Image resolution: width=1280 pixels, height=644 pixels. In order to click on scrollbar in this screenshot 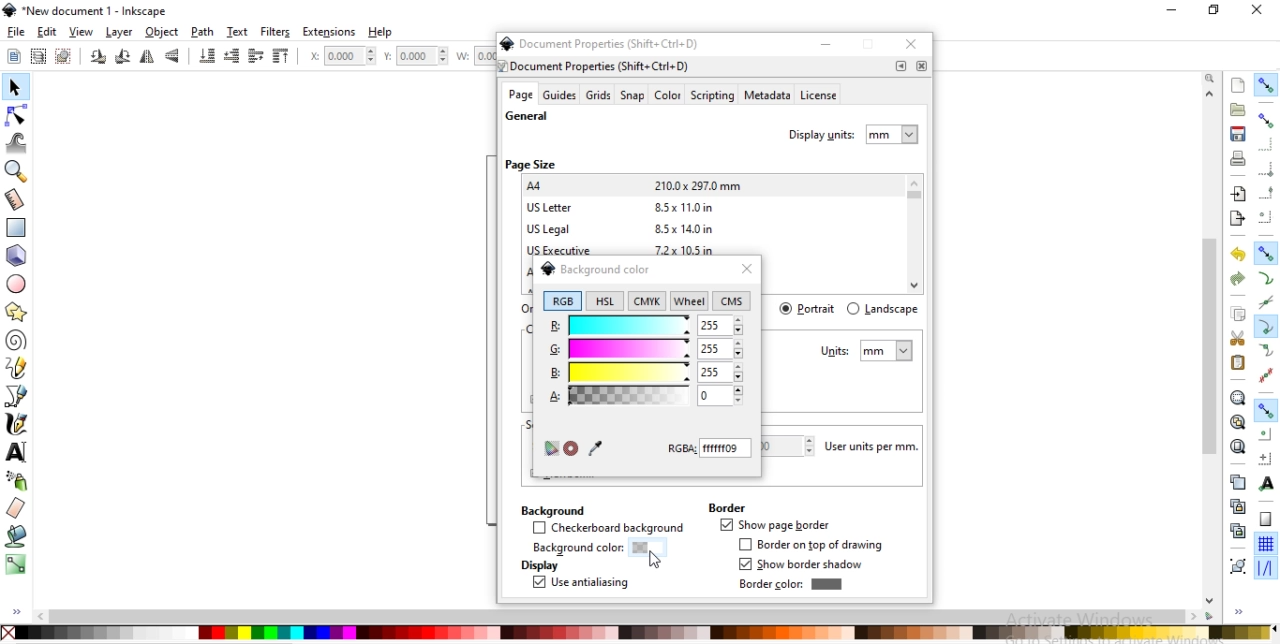, I will do `click(626, 616)`.